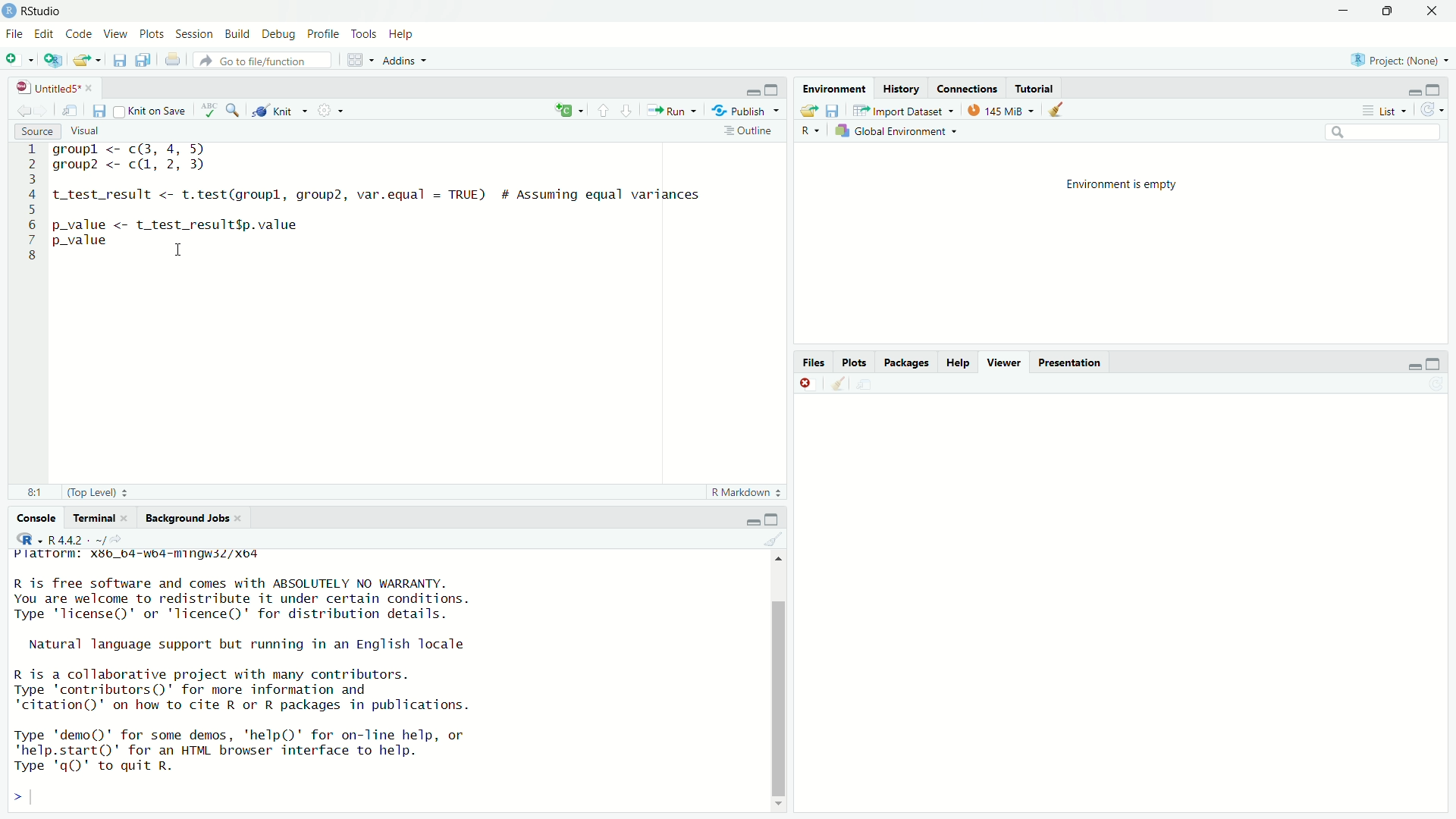  I want to click on Console, so click(36, 518).